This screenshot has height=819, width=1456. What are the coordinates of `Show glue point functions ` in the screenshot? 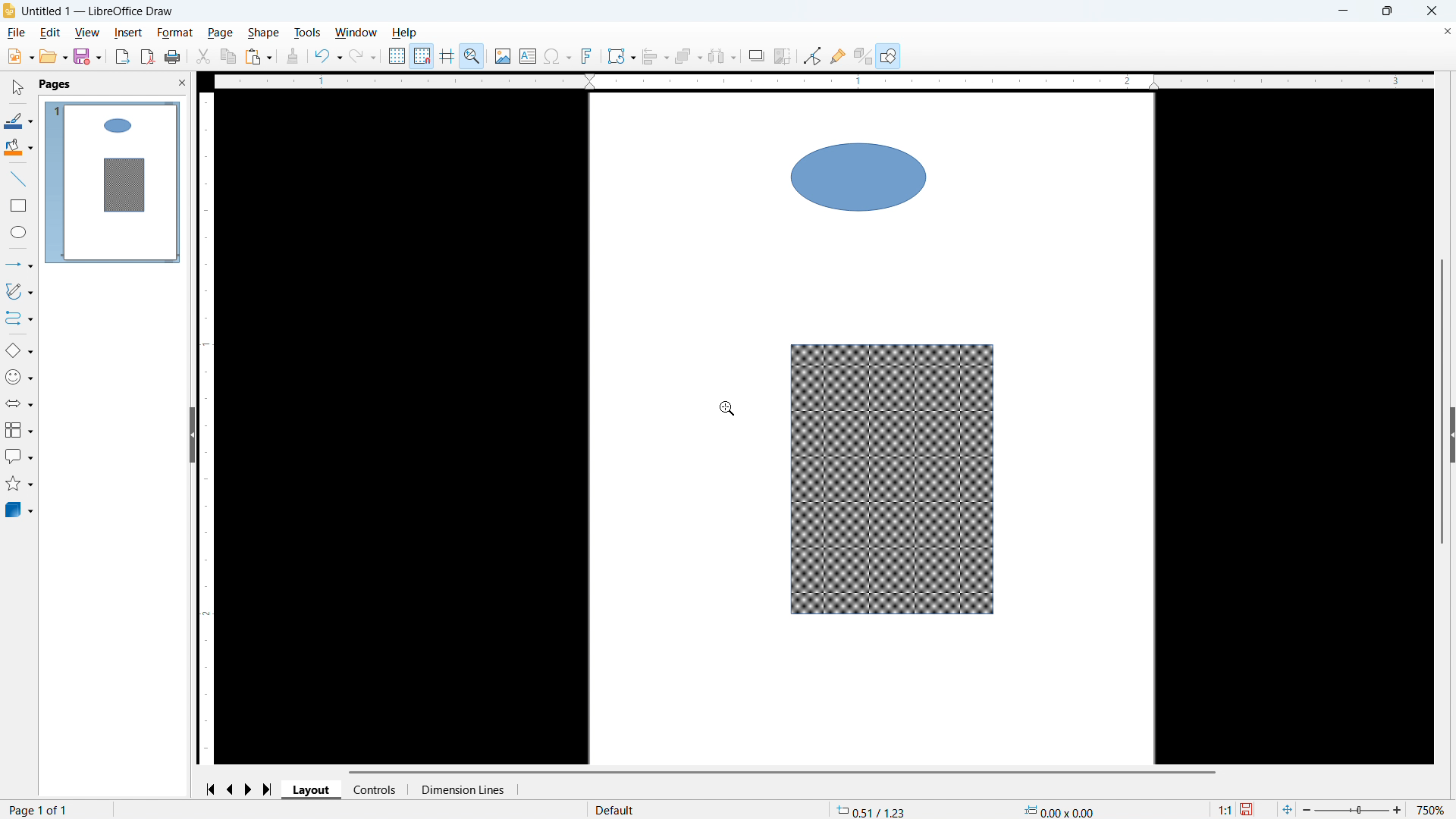 It's located at (838, 56).